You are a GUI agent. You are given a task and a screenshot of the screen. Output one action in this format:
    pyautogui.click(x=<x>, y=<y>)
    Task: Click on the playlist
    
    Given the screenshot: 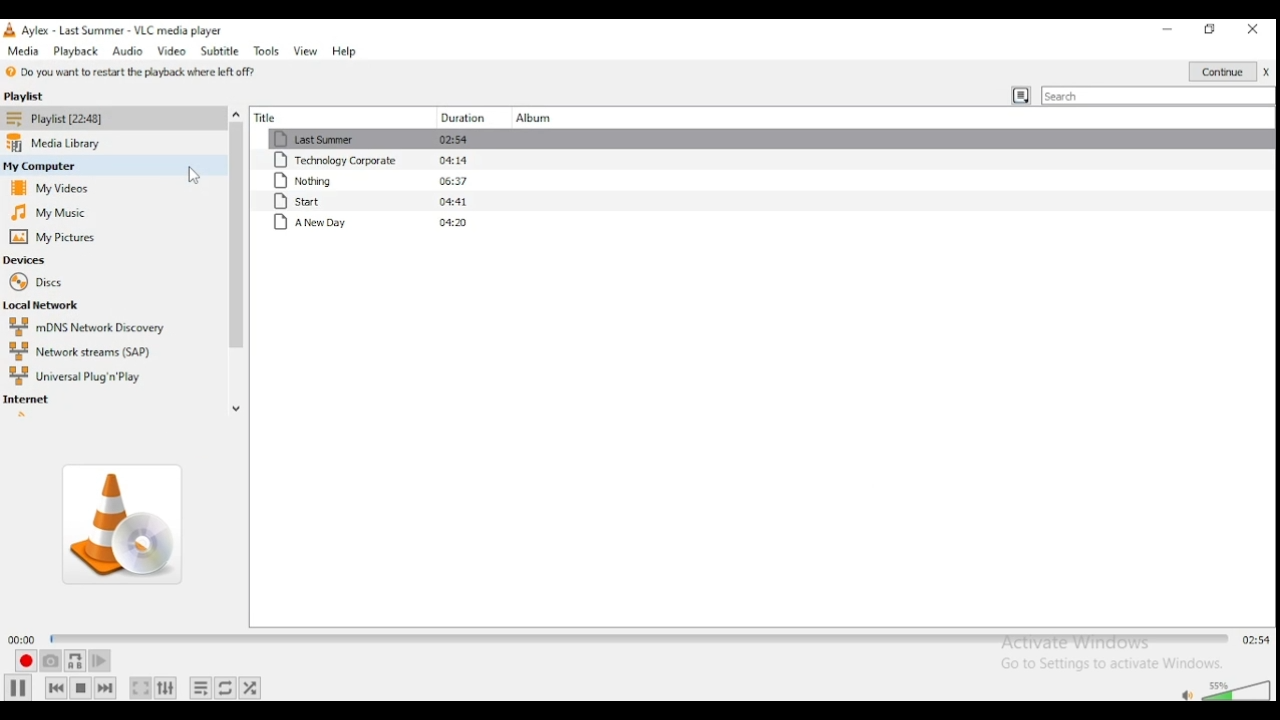 What is the action you would take?
    pyautogui.click(x=42, y=96)
    